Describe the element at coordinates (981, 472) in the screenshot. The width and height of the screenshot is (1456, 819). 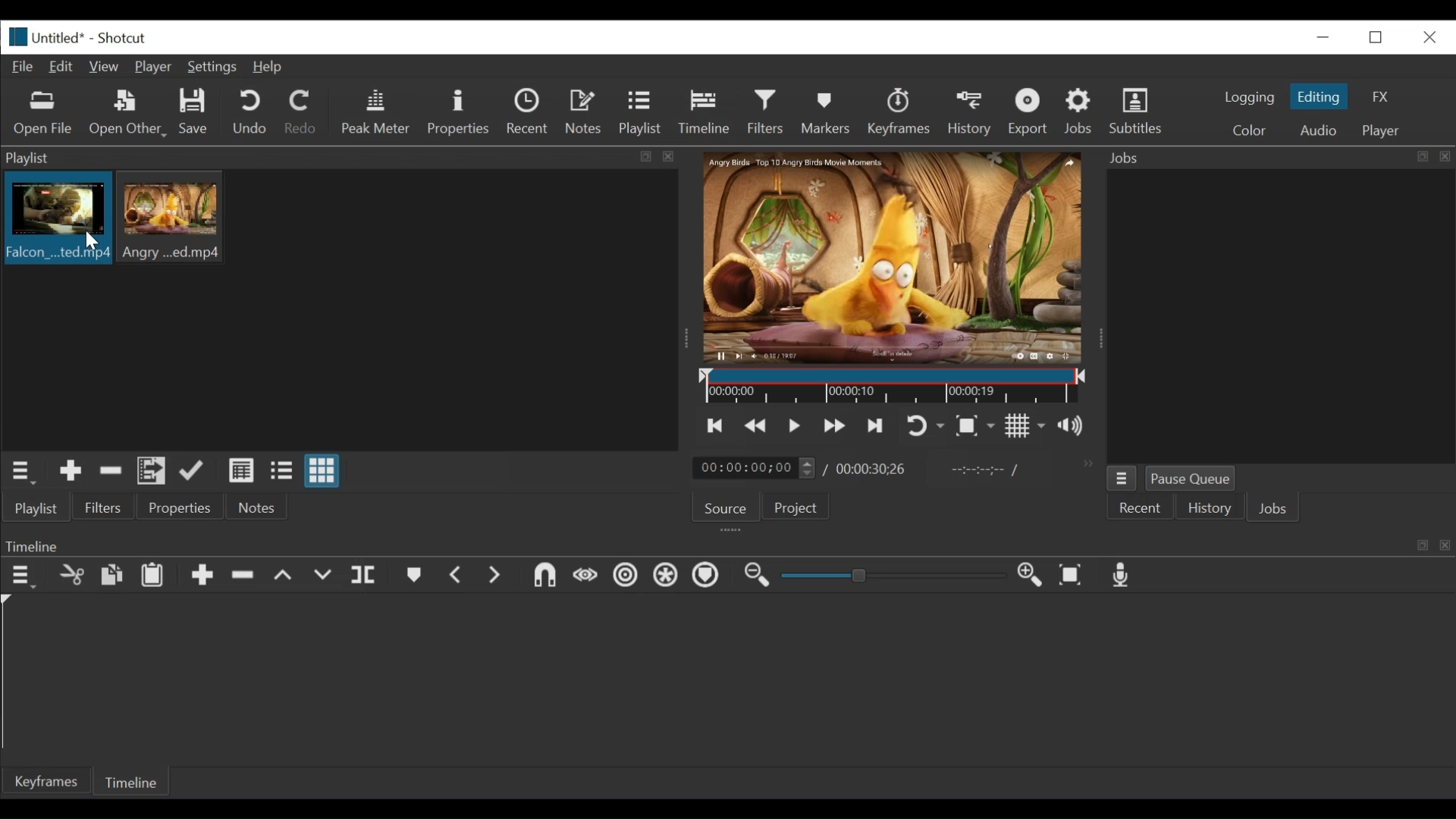
I see `in point` at that location.